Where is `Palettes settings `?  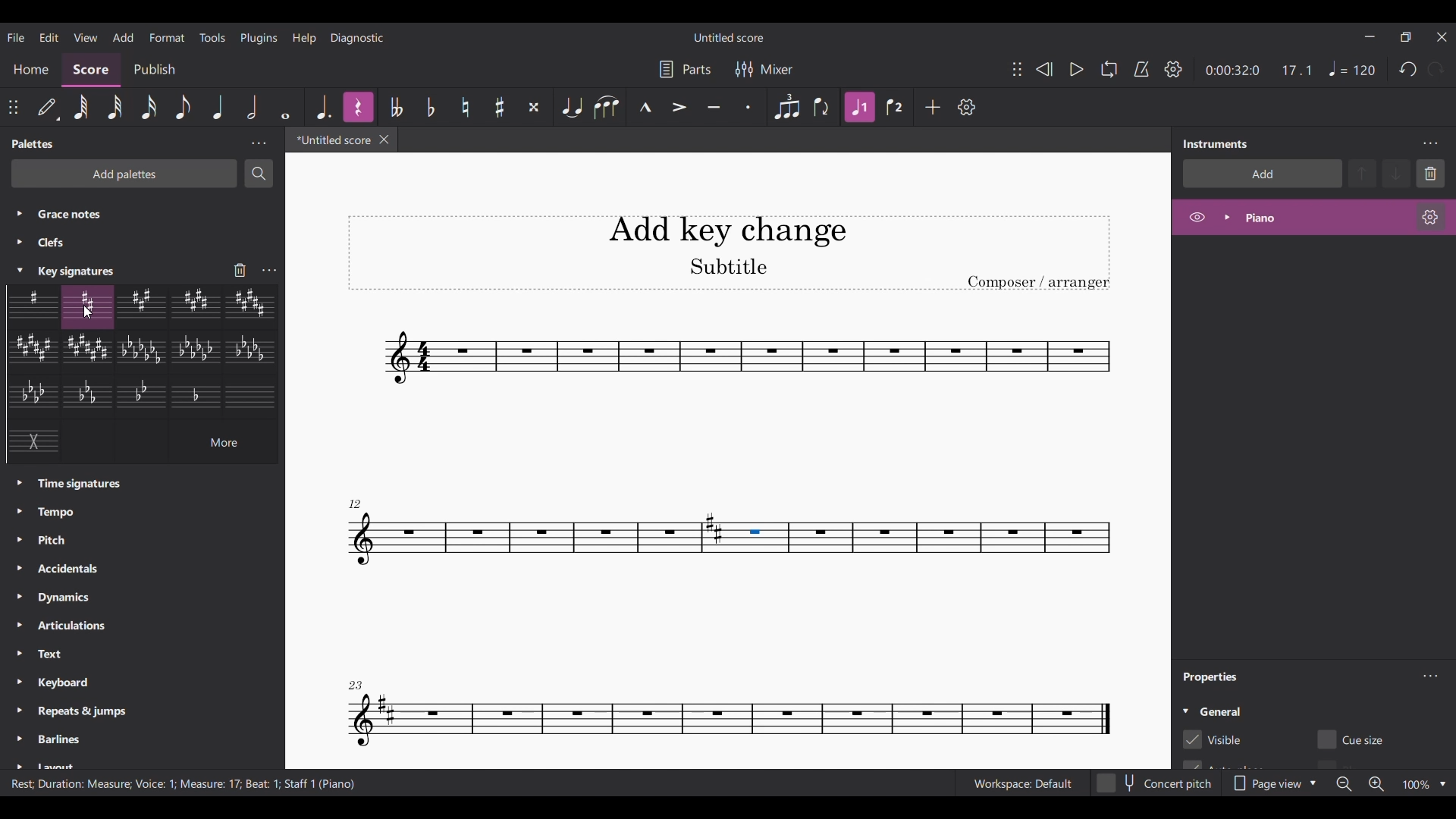
Palettes settings  is located at coordinates (259, 143).